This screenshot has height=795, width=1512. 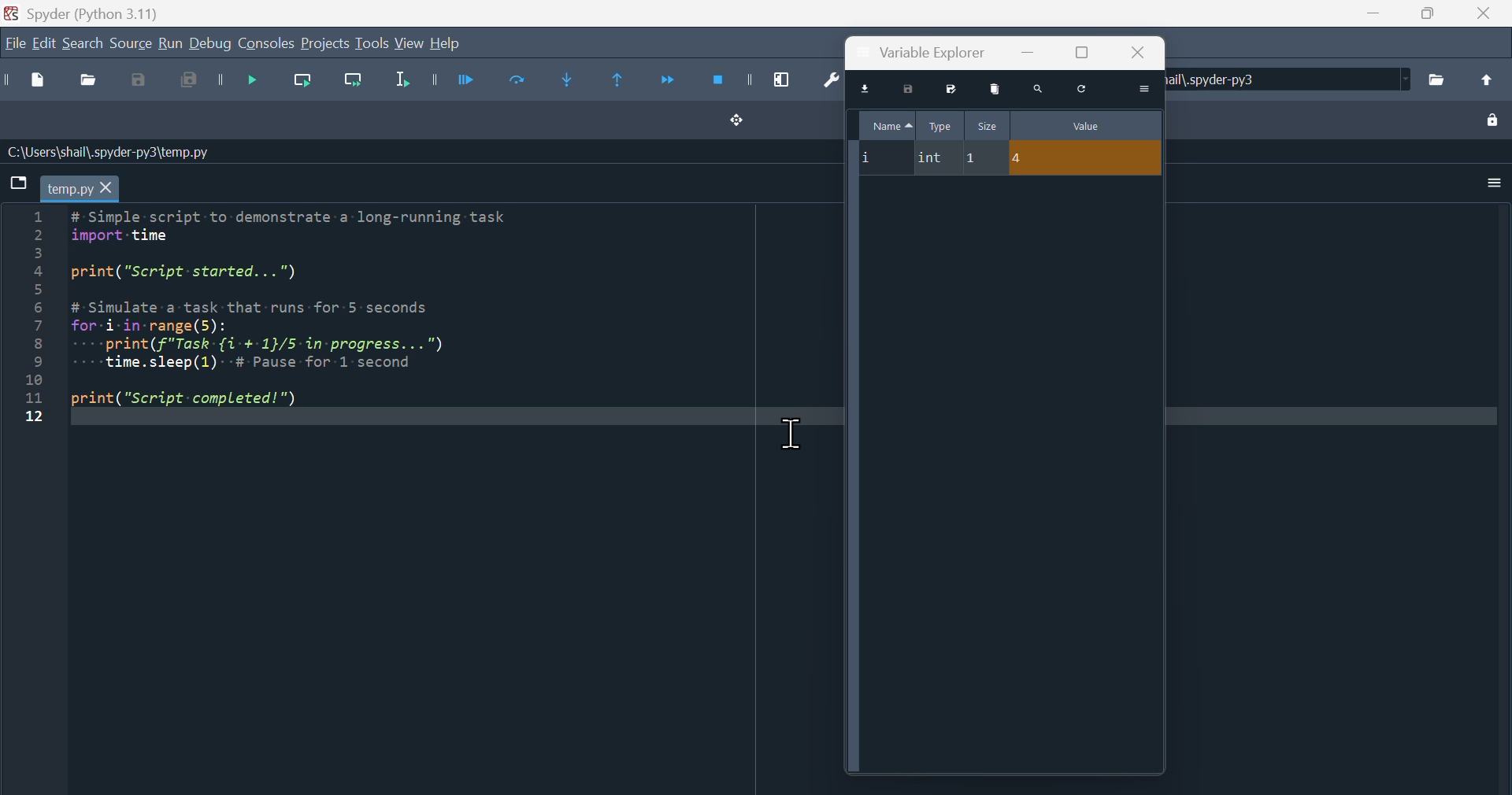 What do you see at coordinates (573, 81) in the screenshot?
I see `Step into function` at bounding box center [573, 81].